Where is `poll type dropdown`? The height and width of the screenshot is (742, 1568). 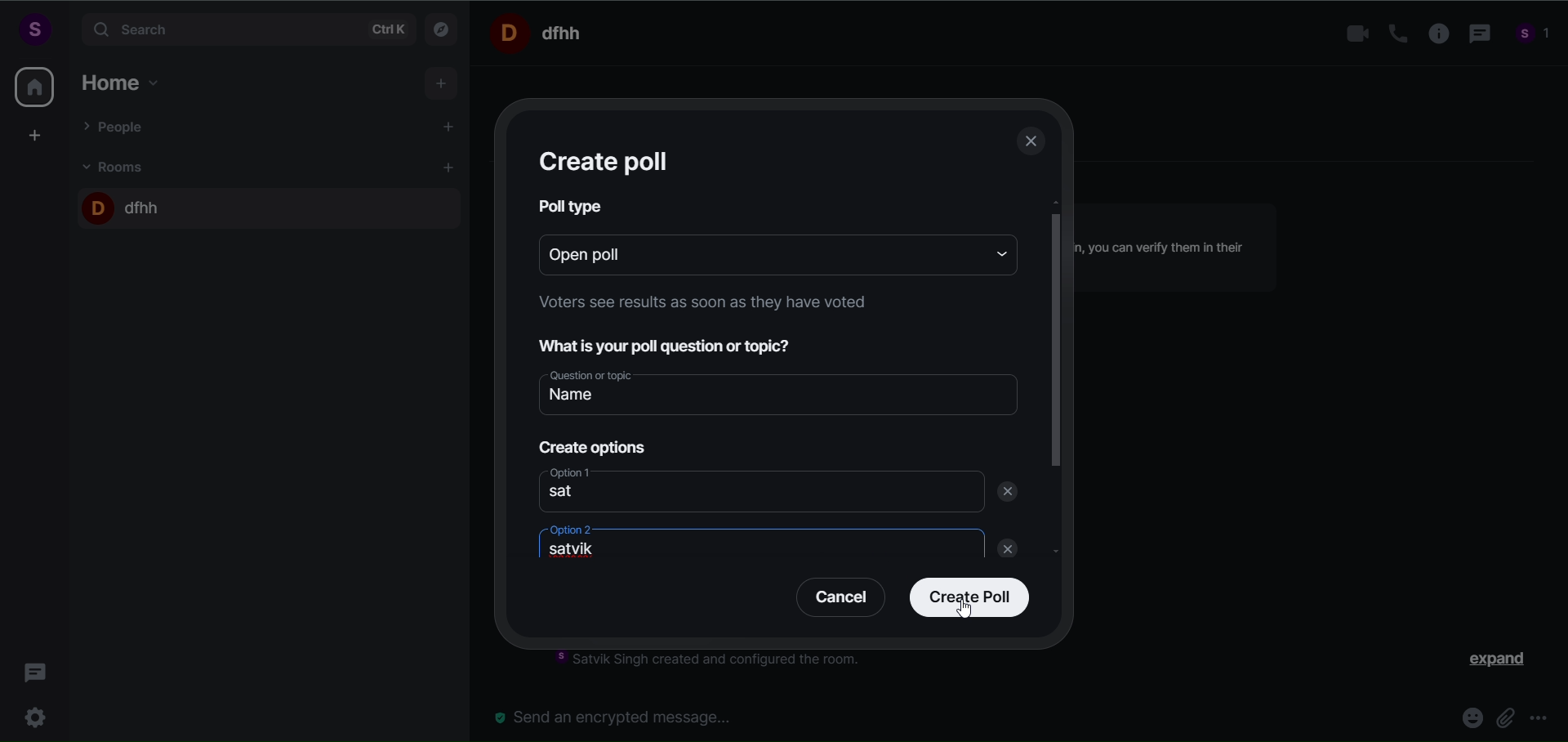 poll type dropdown is located at coordinates (996, 262).